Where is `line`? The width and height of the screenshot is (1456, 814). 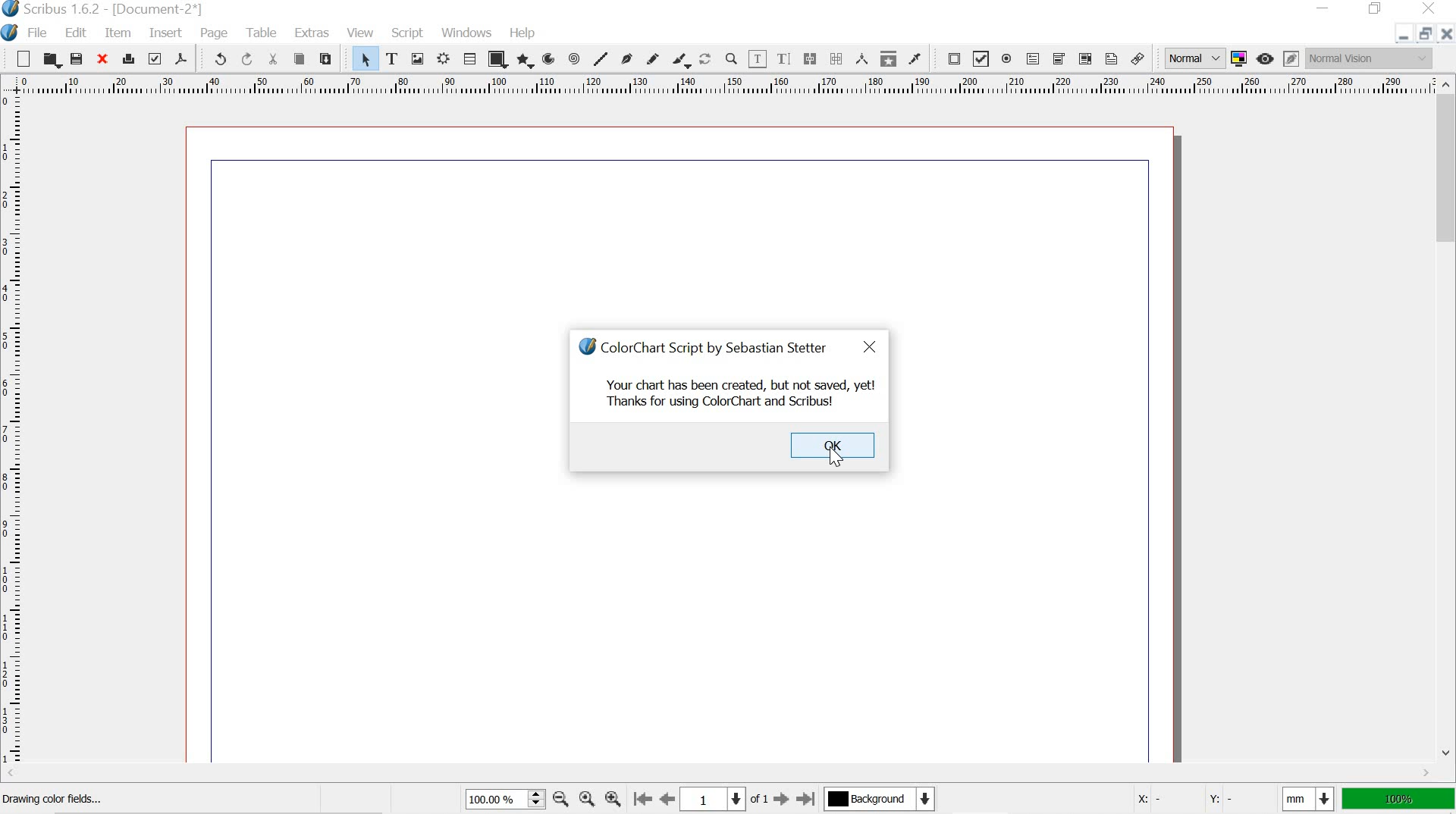
line is located at coordinates (600, 58).